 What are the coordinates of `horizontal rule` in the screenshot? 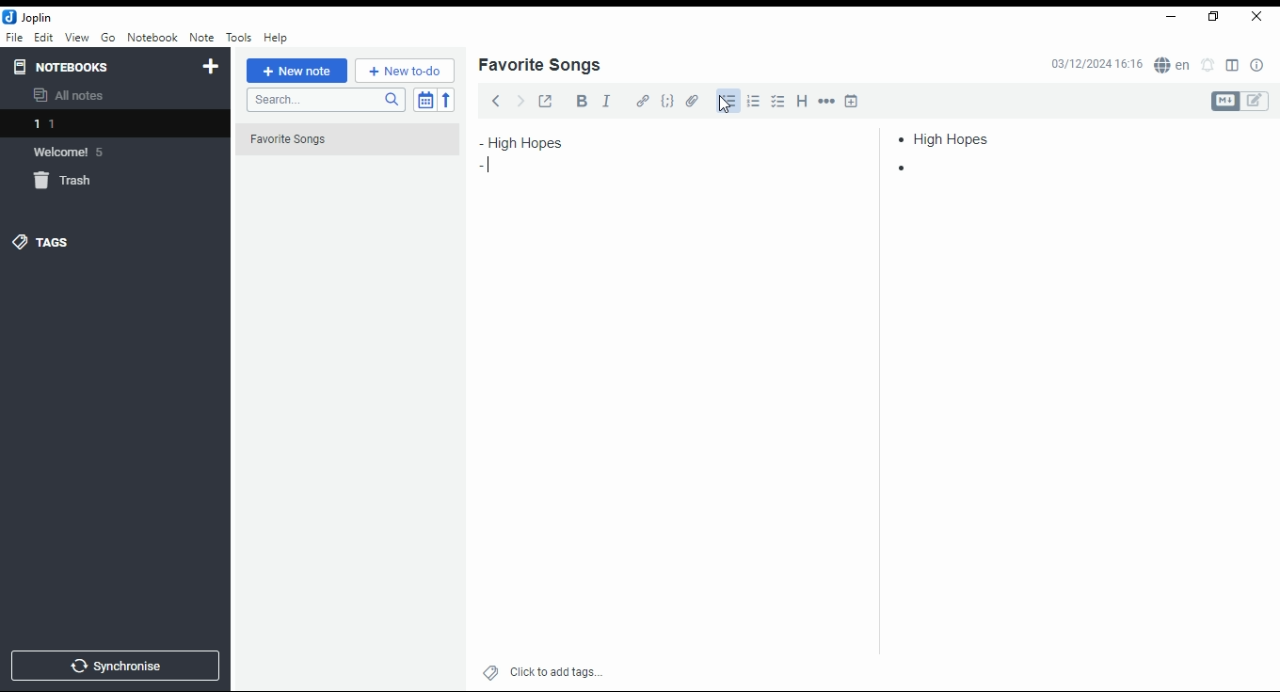 It's located at (828, 100).